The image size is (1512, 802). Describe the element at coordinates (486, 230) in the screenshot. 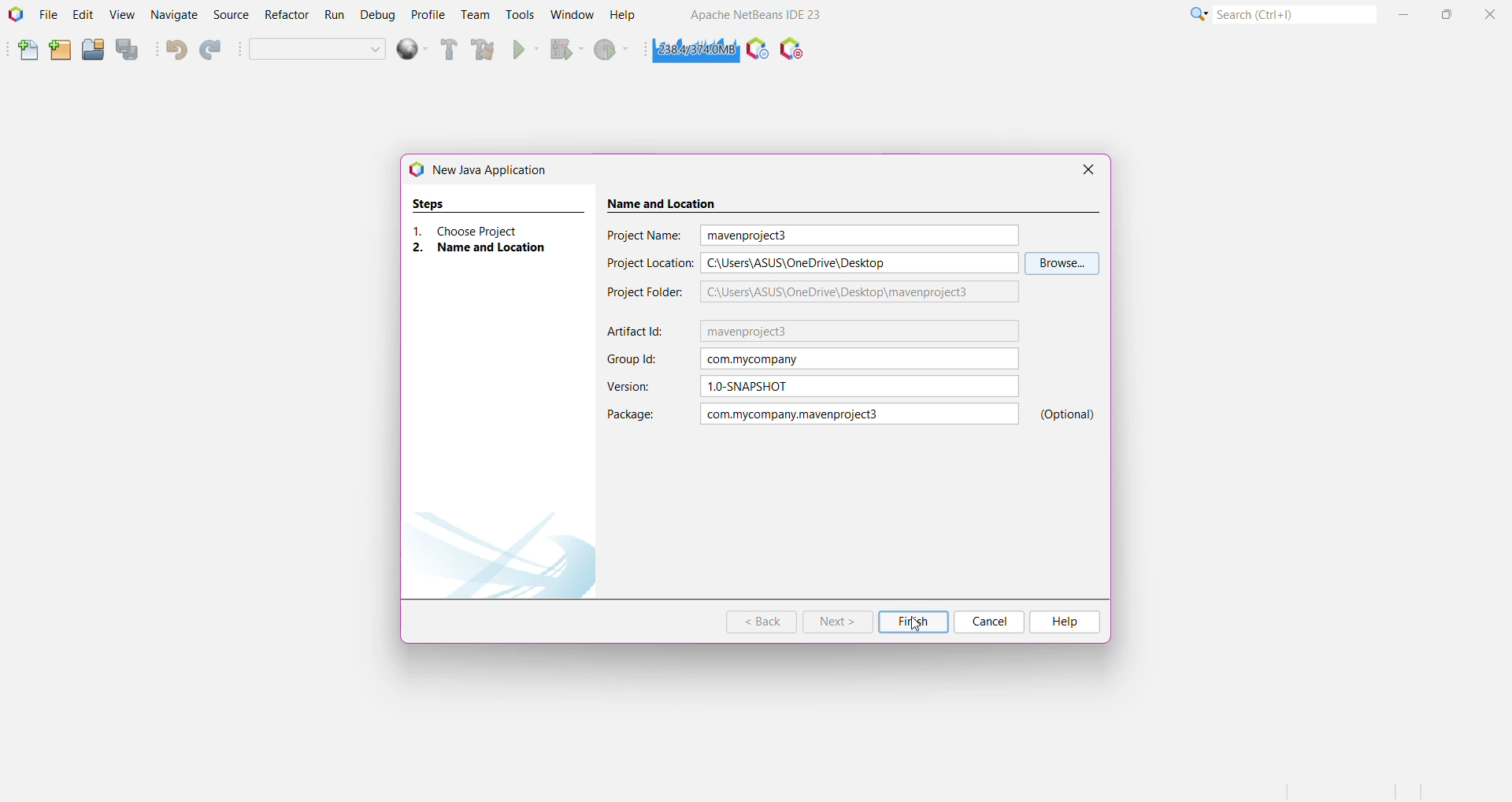

I see `Choose Project` at that location.